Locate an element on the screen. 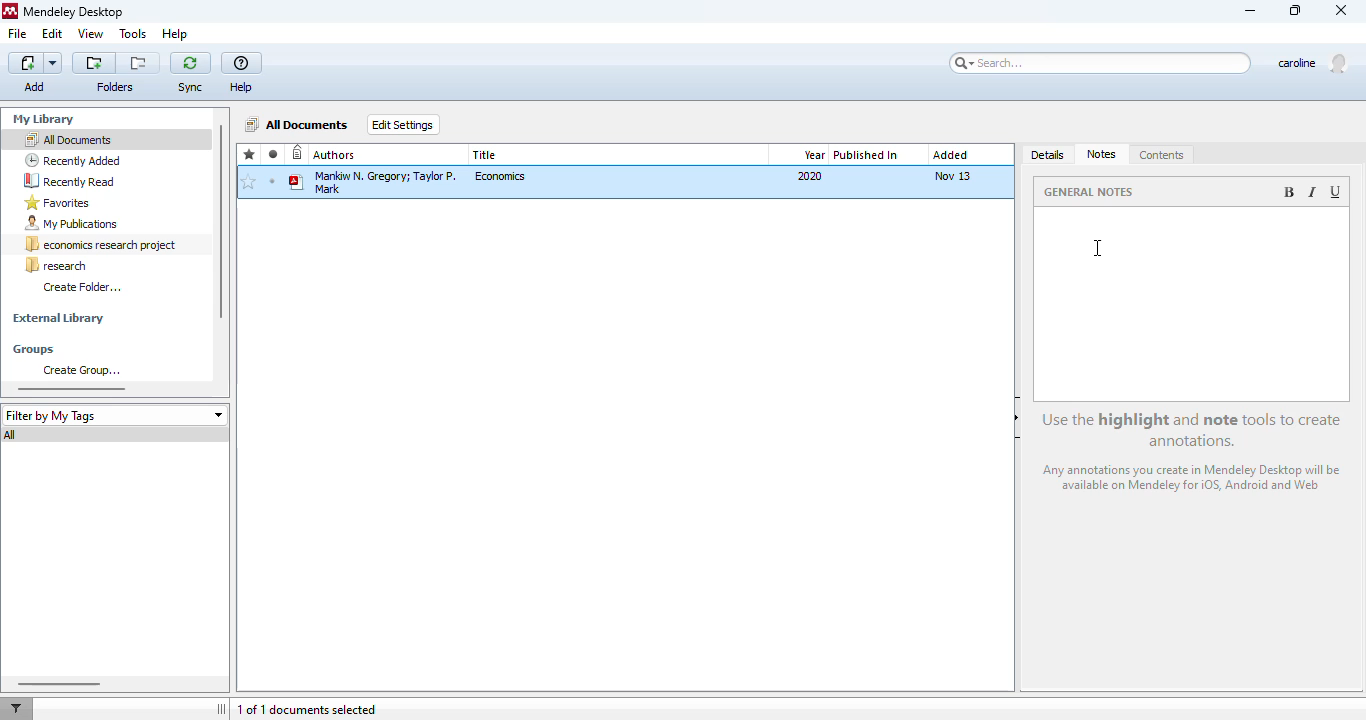 The image size is (1366, 720). general notes is located at coordinates (1092, 191).